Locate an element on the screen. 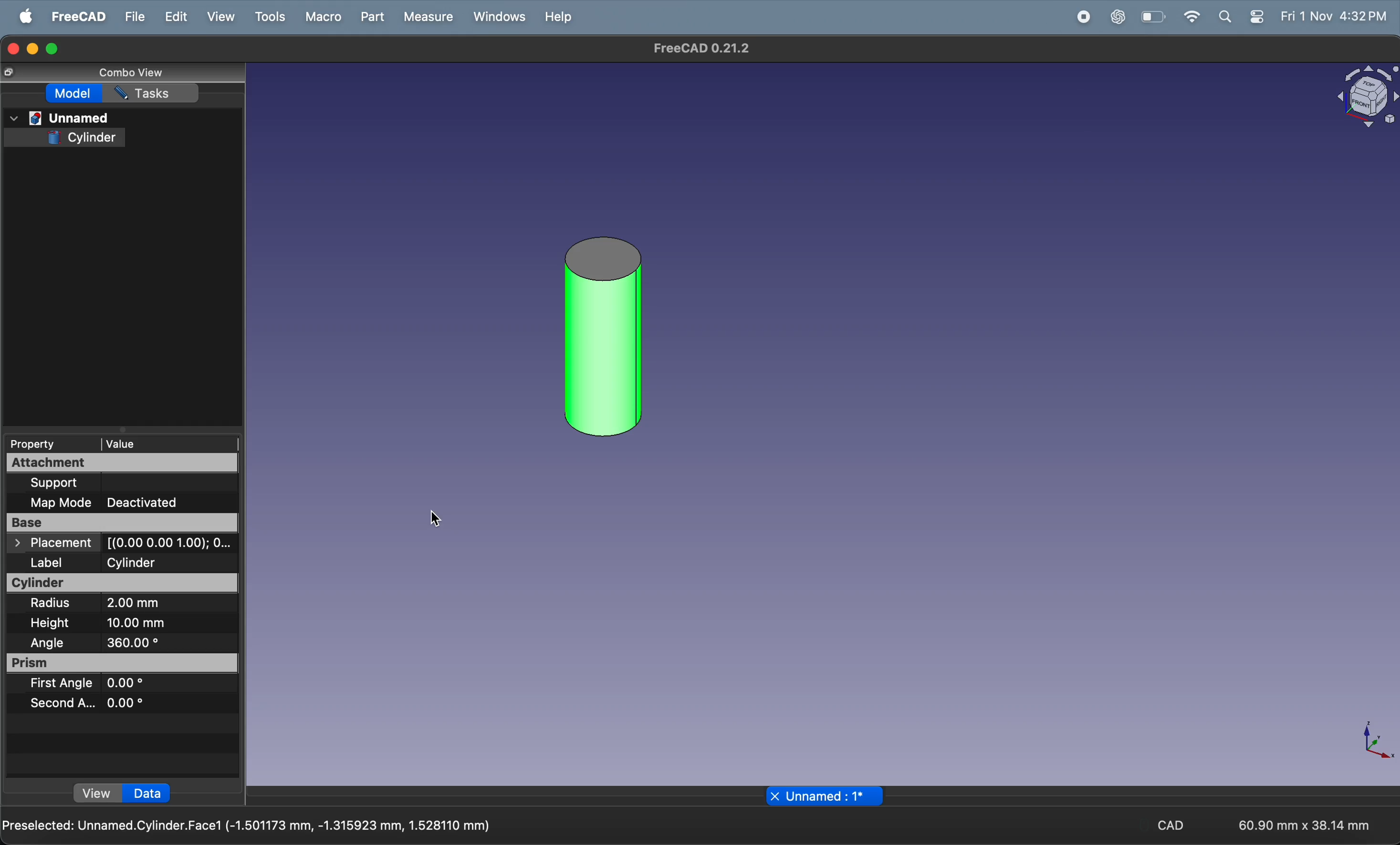 The height and width of the screenshot is (845, 1400). apple menu is located at coordinates (21, 16).